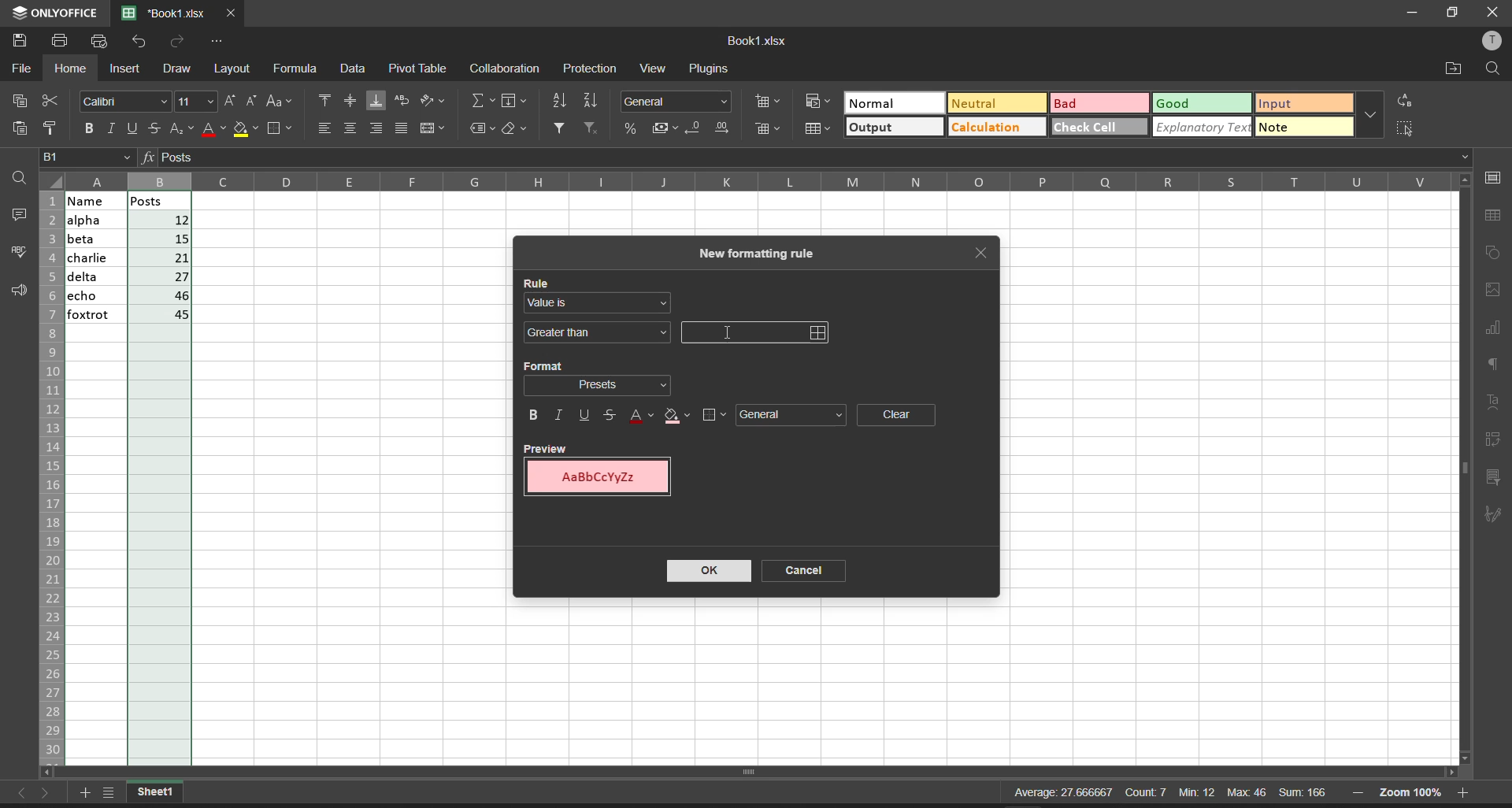 This screenshot has width=1512, height=808. What do you see at coordinates (514, 101) in the screenshot?
I see `fill` at bounding box center [514, 101].